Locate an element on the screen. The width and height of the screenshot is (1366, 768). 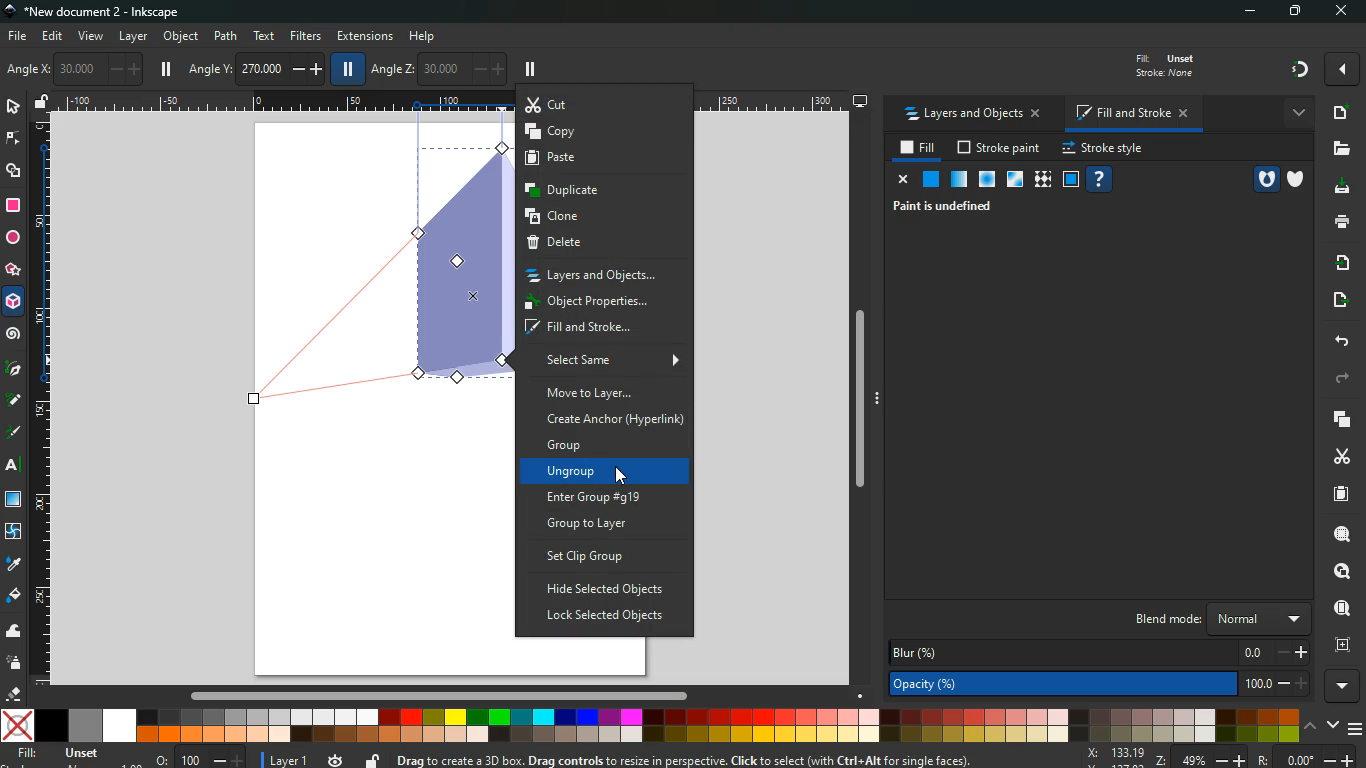
create anchor is located at coordinates (613, 420).